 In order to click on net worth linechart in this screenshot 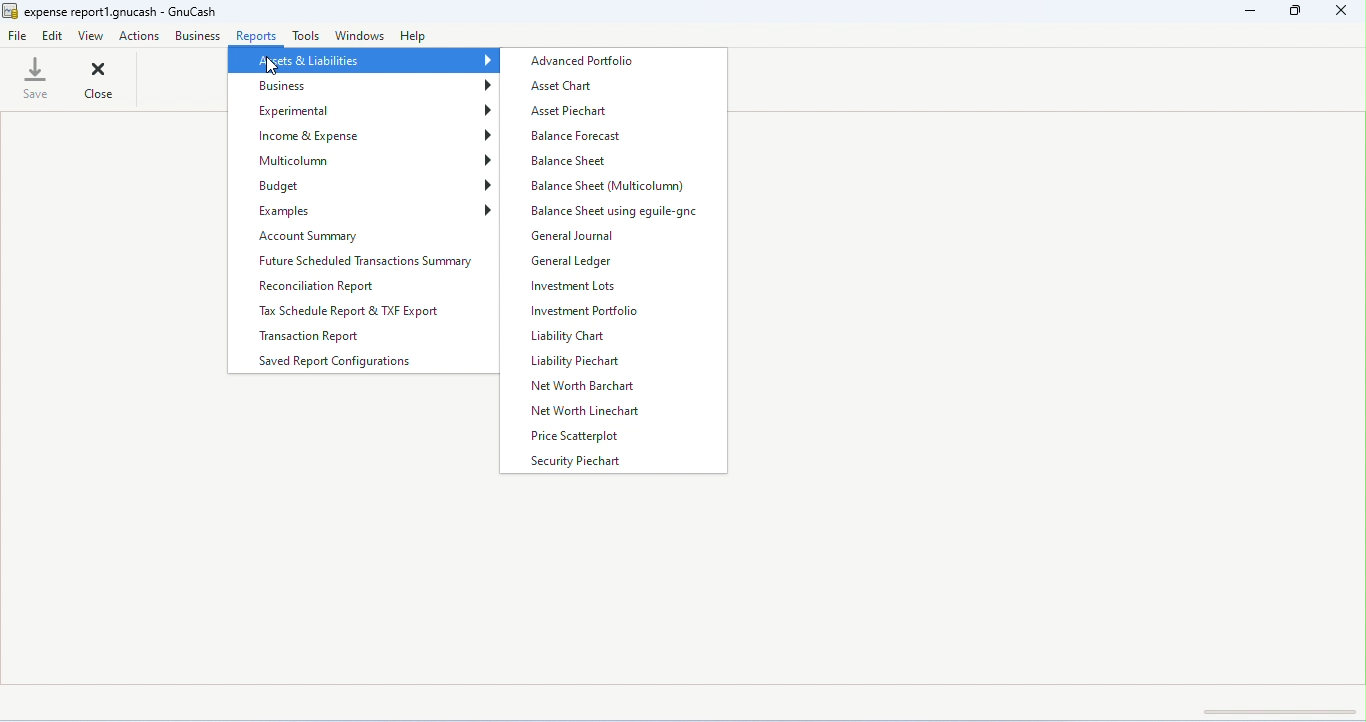, I will do `click(598, 413)`.